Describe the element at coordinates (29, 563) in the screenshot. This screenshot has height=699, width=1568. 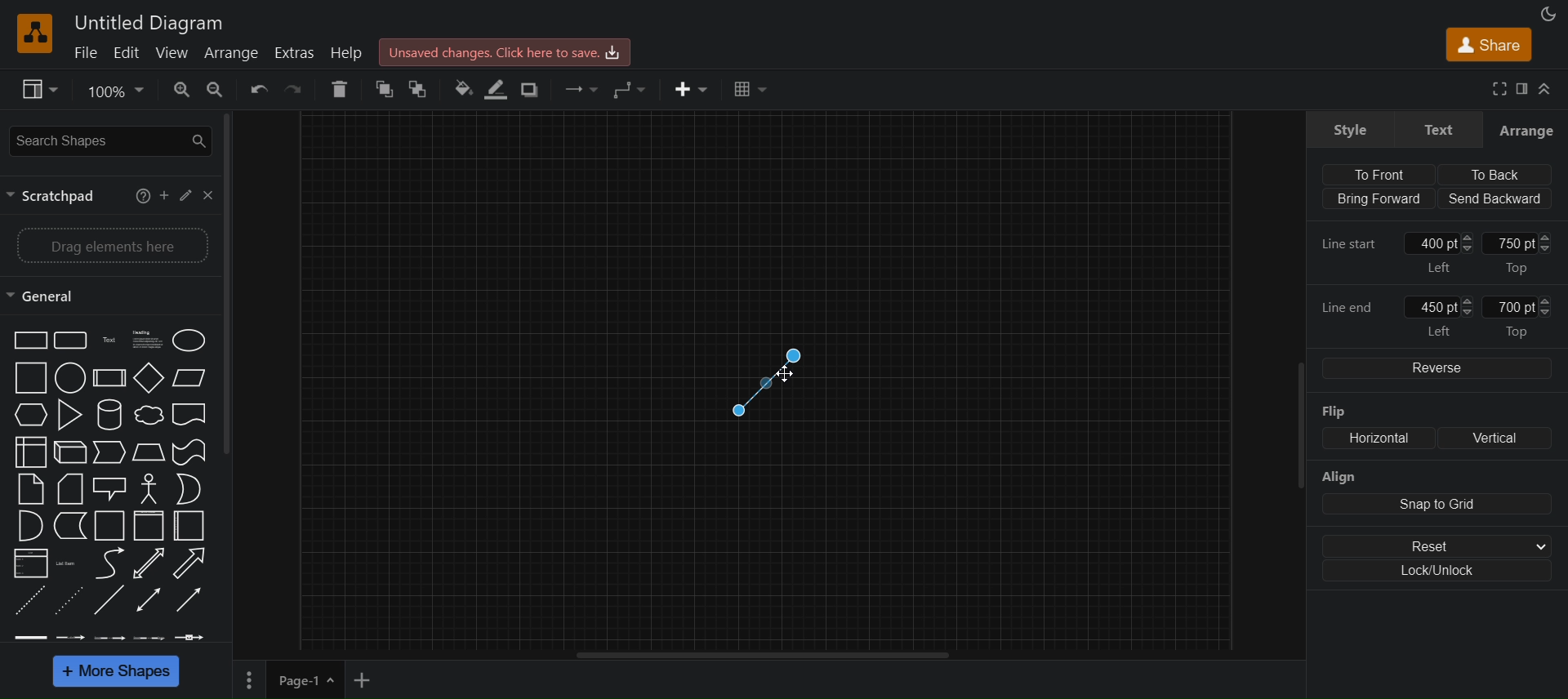
I see `List` at that location.